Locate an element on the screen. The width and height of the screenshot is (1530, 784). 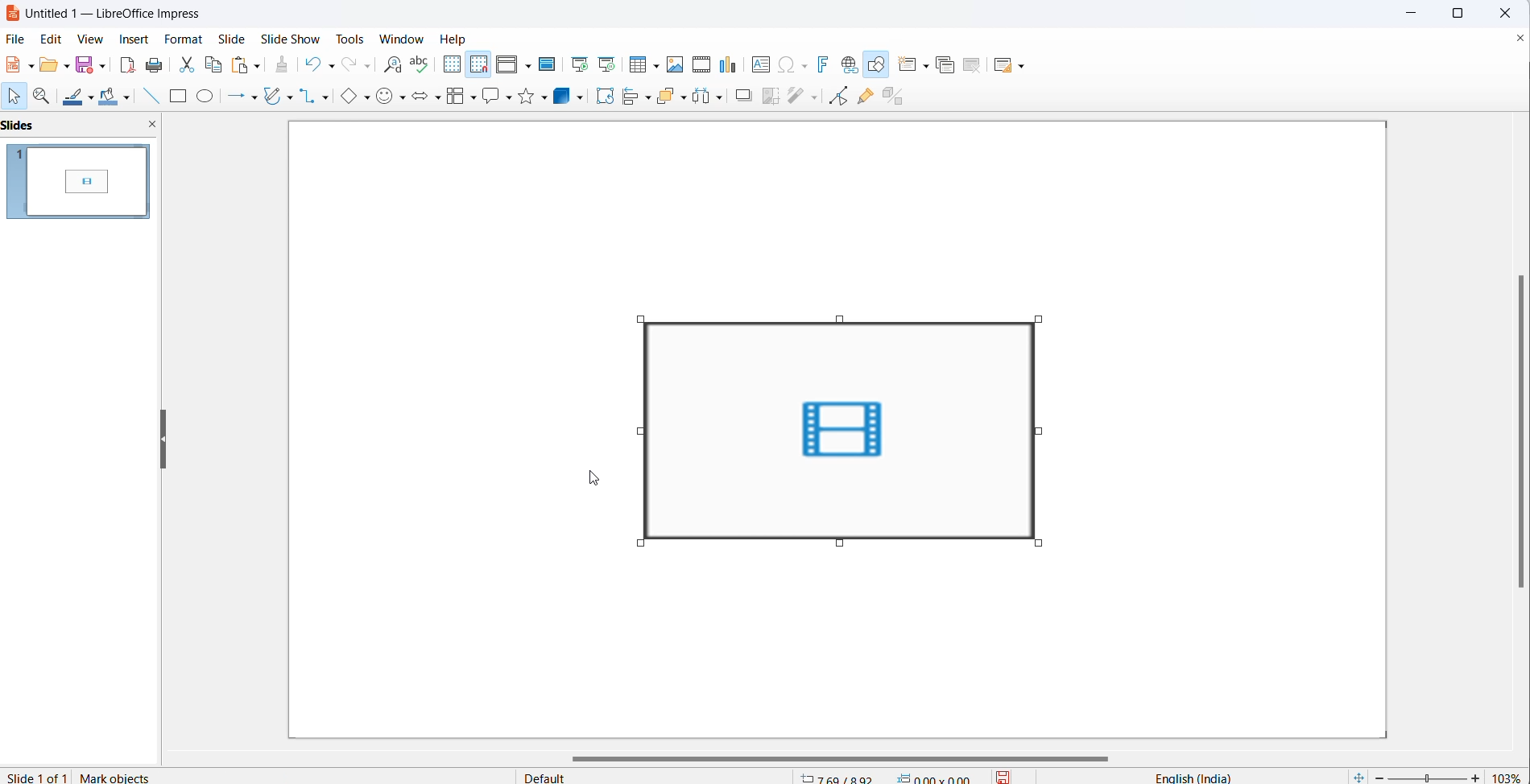
slides and close slidepane is located at coordinates (81, 127).